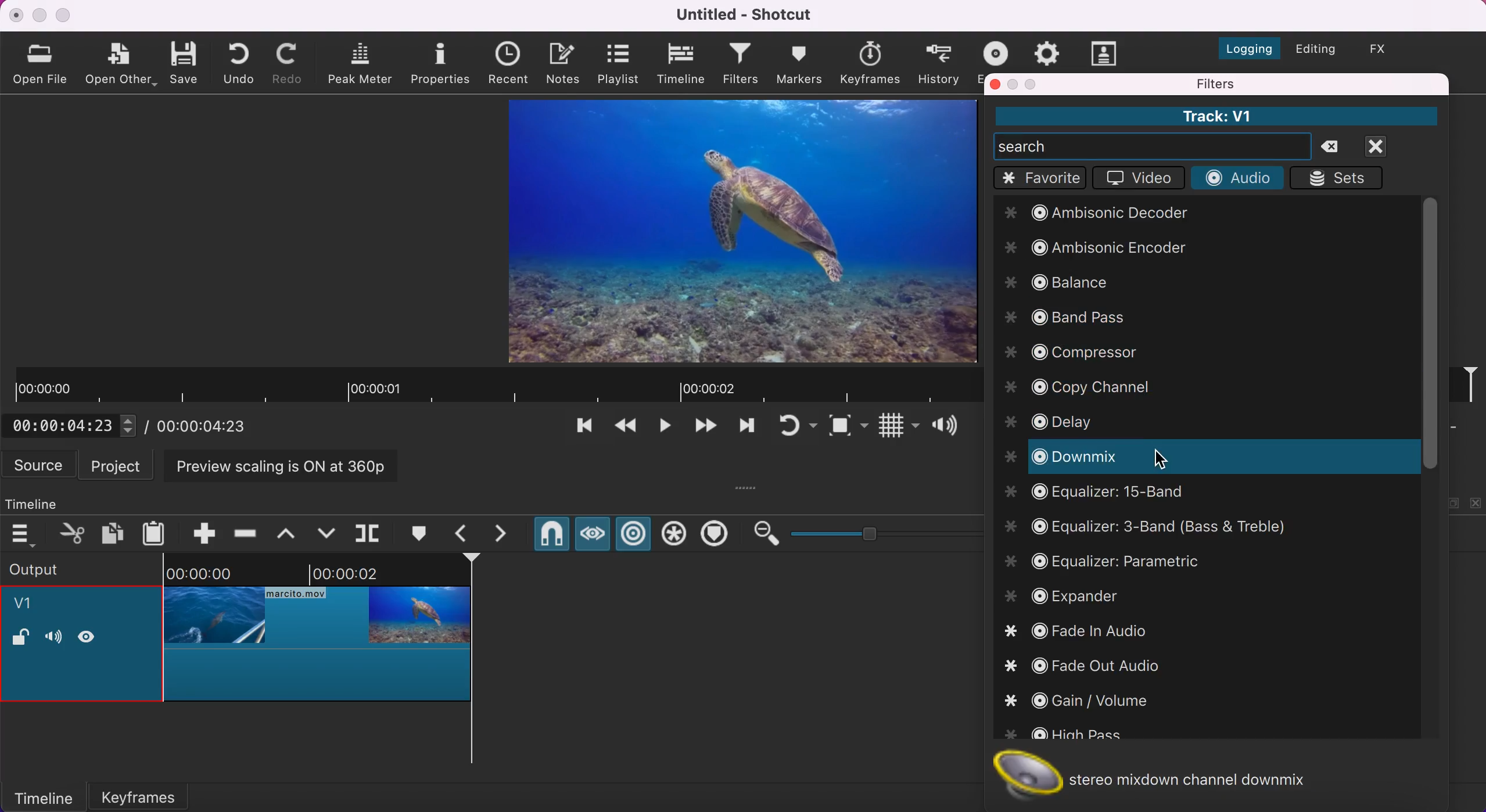 Image resolution: width=1486 pixels, height=812 pixels. I want to click on Track: V1, so click(1215, 116).